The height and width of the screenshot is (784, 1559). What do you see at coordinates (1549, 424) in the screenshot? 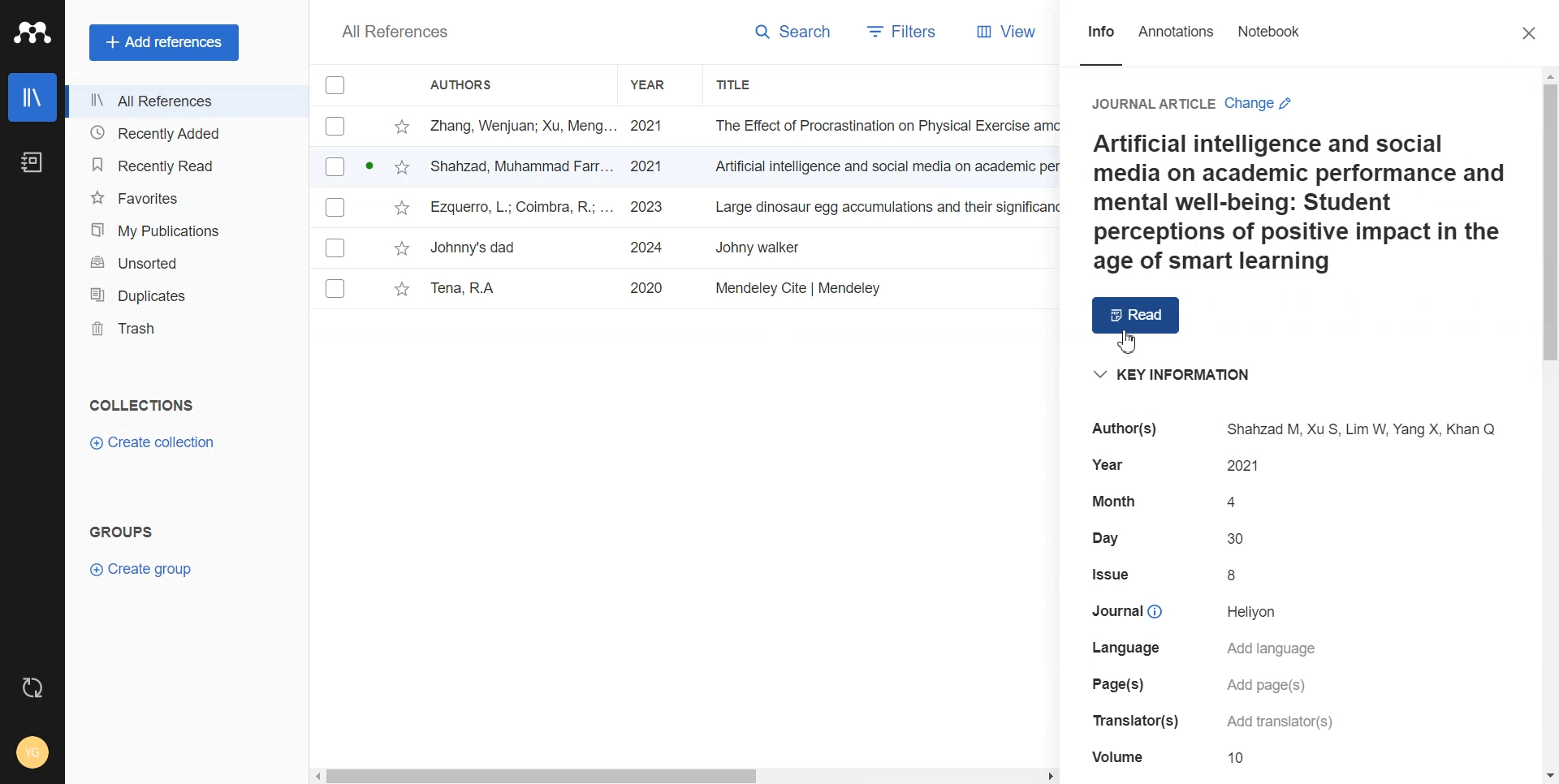
I see `Vertical scroll bar` at bounding box center [1549, 424].